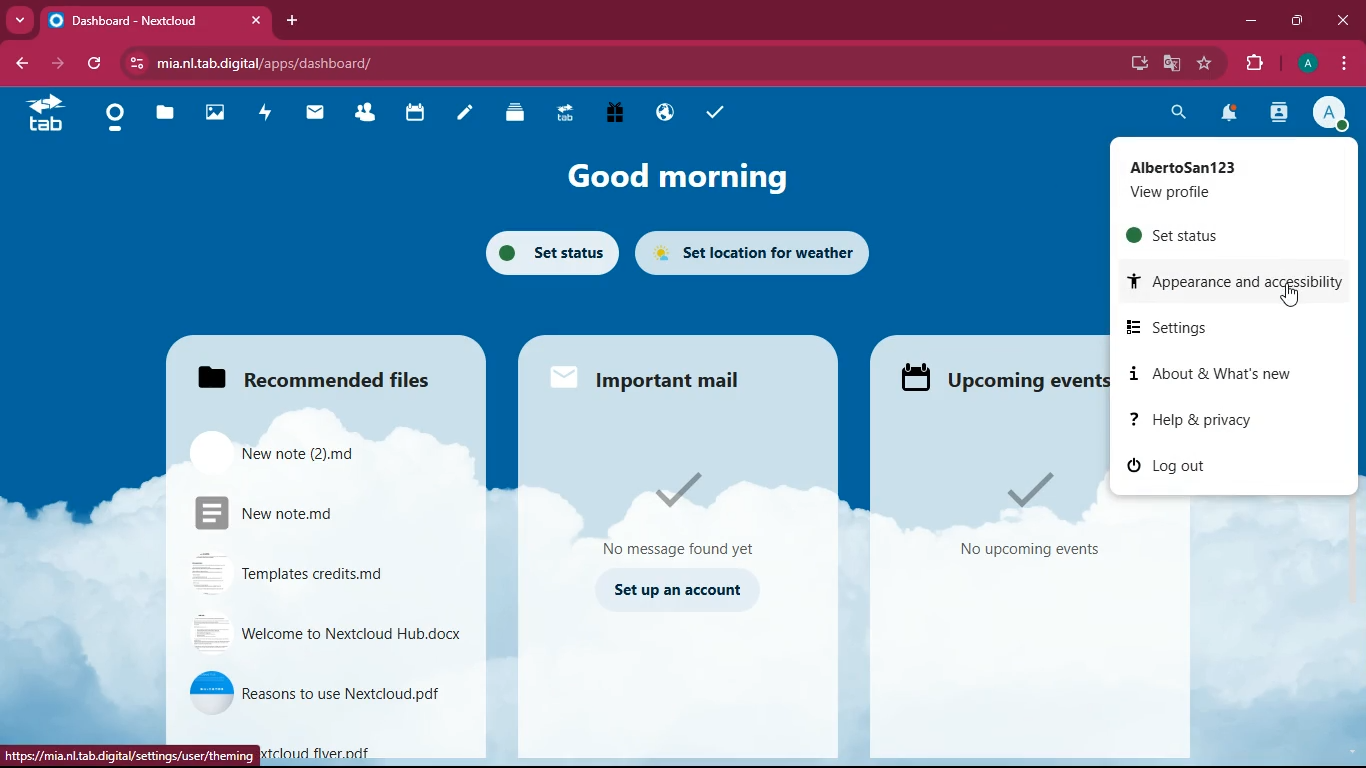 Image resolution: width=1366 pixels, height=768 pixels. Describe the element at coordinates (564, 114) in the screenshot. I see `tab` at that location.